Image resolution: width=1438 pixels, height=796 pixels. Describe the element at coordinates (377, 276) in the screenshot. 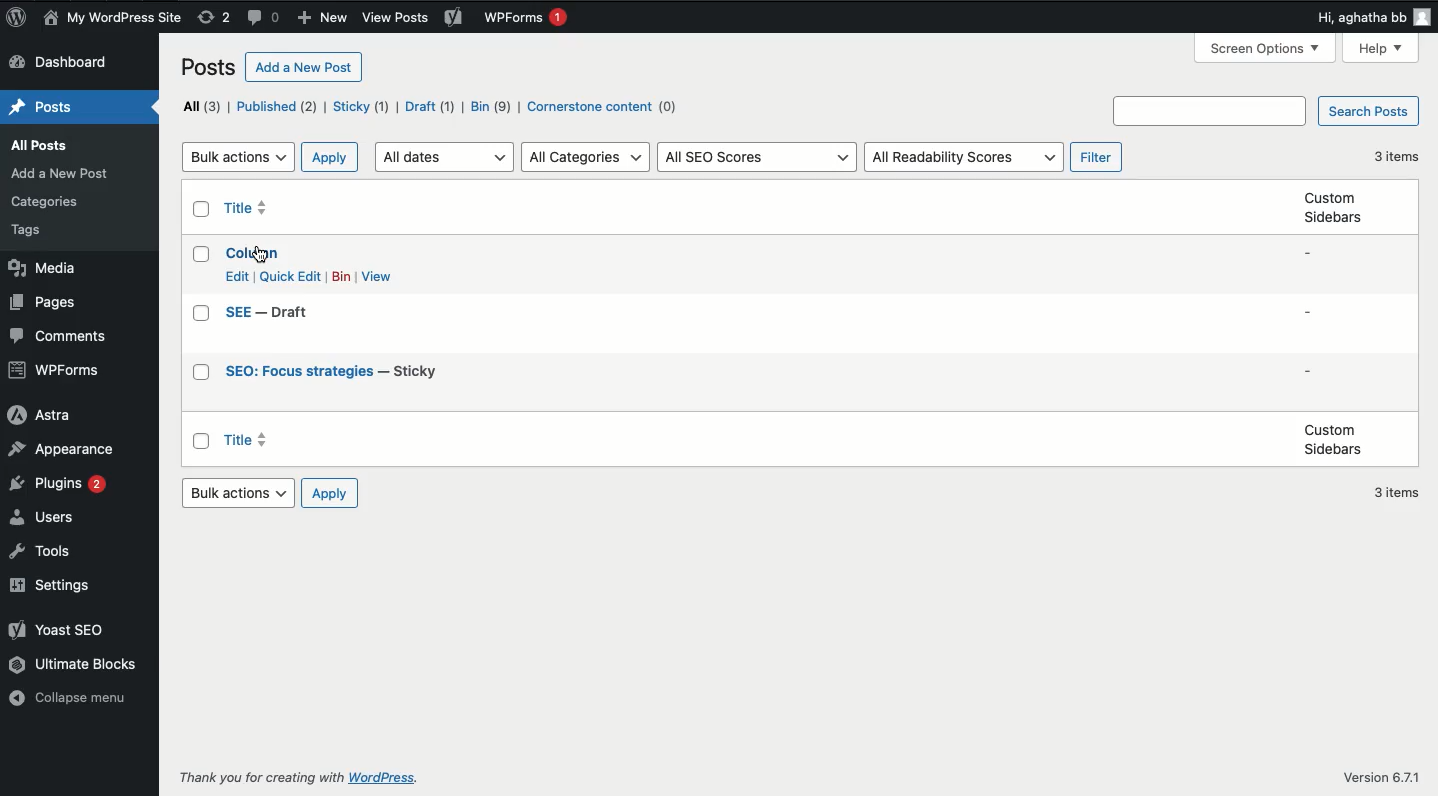

I see `View` at that location.